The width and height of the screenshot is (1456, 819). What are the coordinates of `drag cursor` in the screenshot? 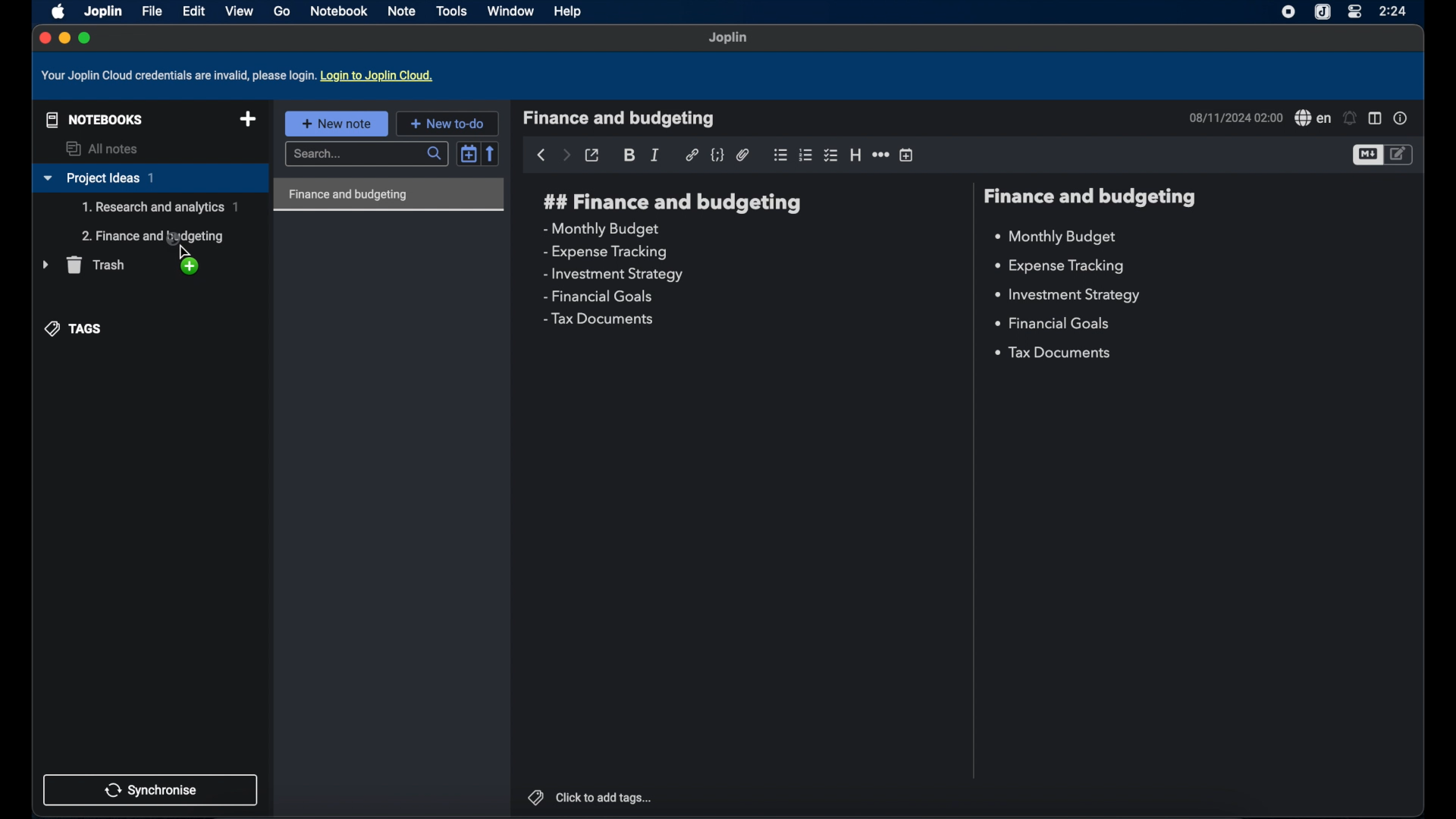 It's located at (181, 243).